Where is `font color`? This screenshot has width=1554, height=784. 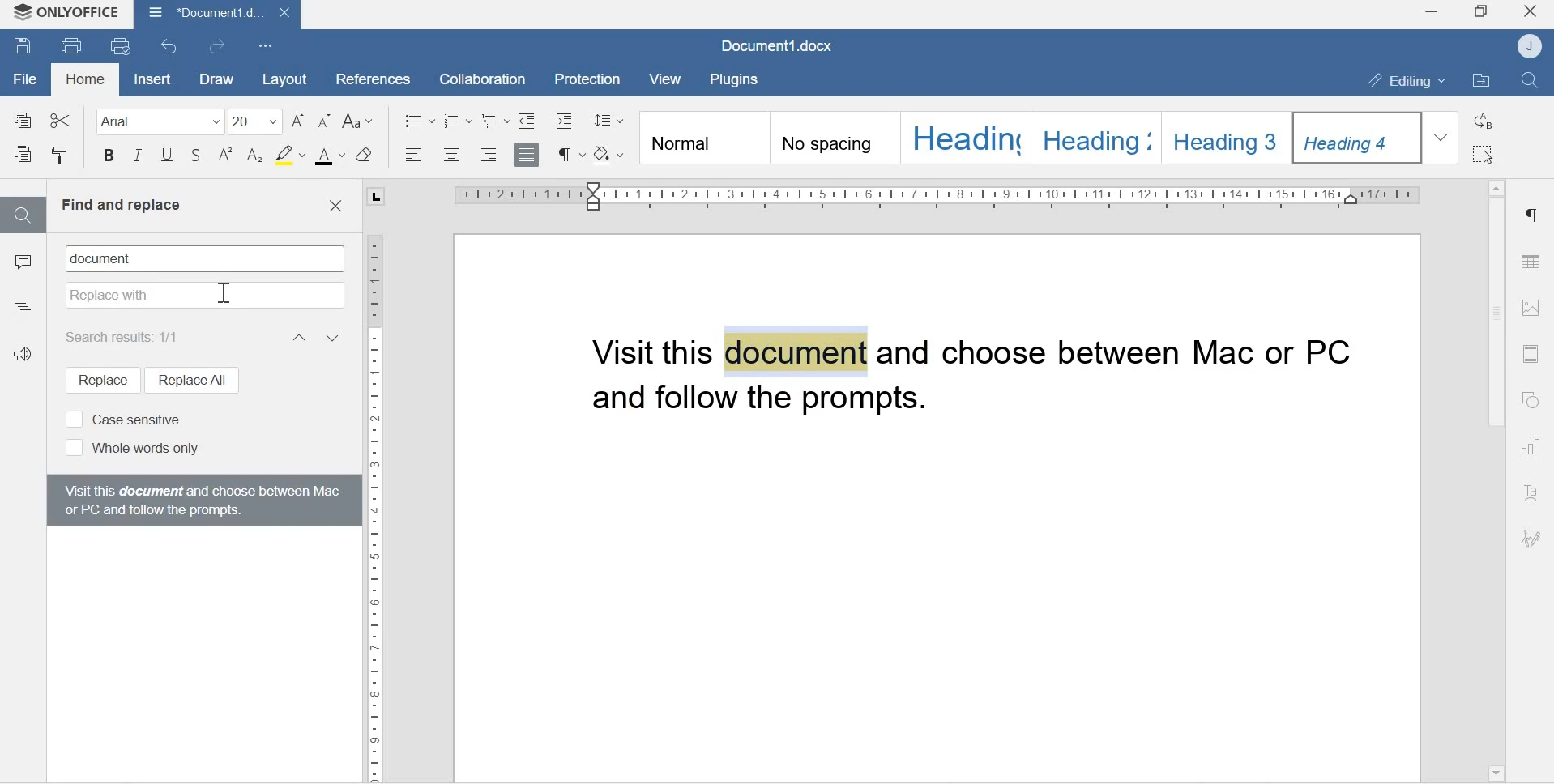
font color is located at coordinates (331, 156).